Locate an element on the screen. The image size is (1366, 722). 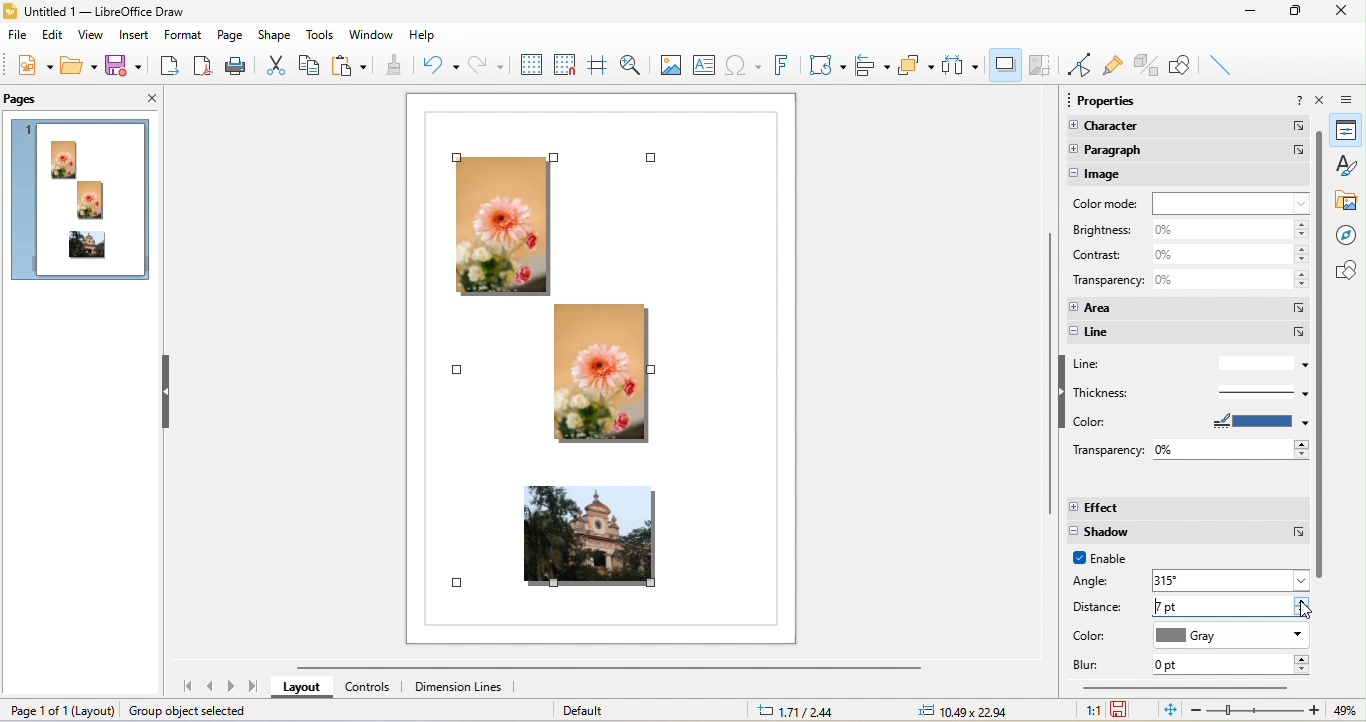
page 1 of 1 is located at coordinates (53, 709).